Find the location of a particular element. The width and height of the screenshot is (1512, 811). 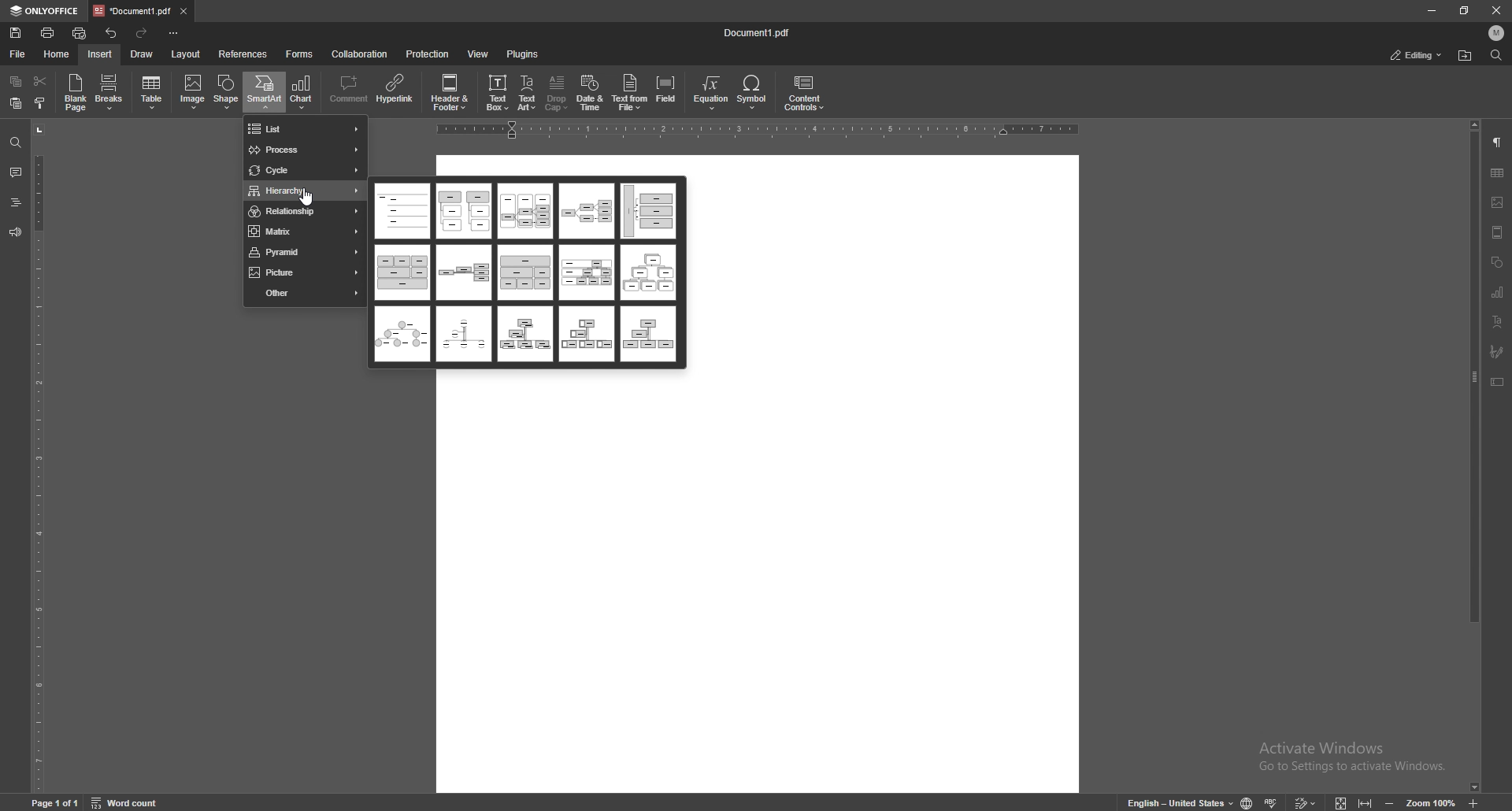

quick print is located at coordinates (80, 33).